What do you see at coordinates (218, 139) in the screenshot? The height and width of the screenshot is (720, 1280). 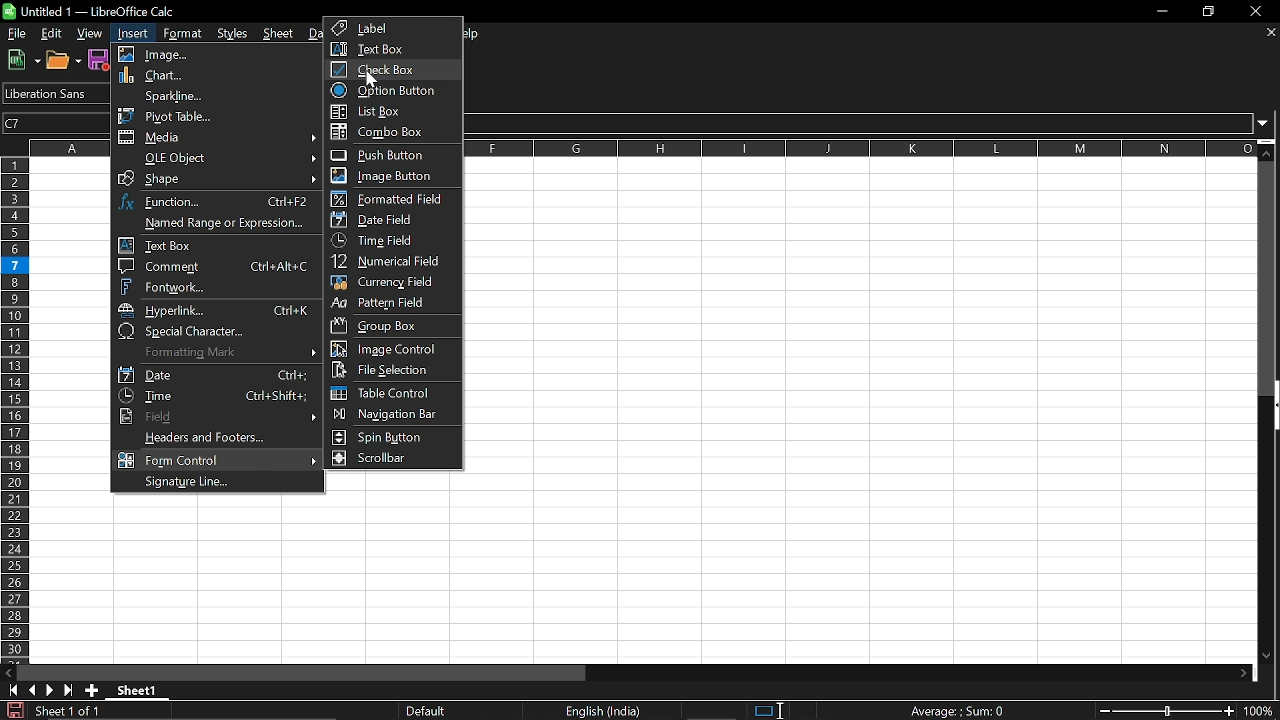 I see `Media` at bounding box center [218, 139].